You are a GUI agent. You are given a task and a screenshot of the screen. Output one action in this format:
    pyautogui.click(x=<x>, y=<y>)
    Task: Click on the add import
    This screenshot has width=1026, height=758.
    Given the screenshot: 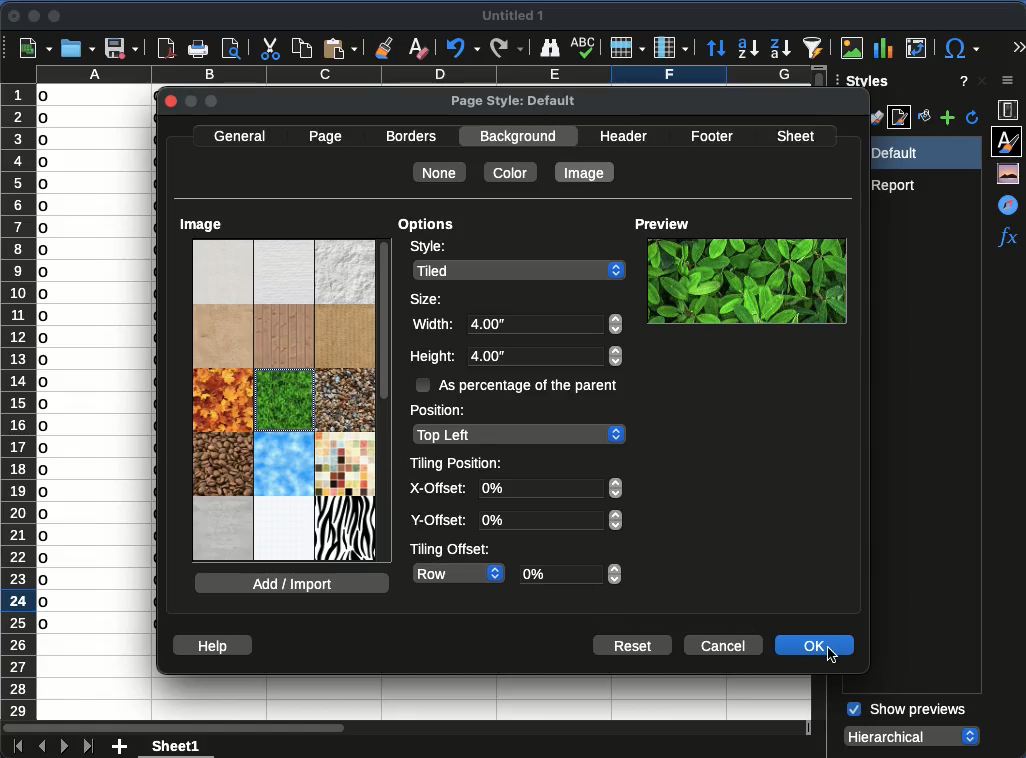 What is the action you would take?
    pyautogui.click(x=294, y=583)
    